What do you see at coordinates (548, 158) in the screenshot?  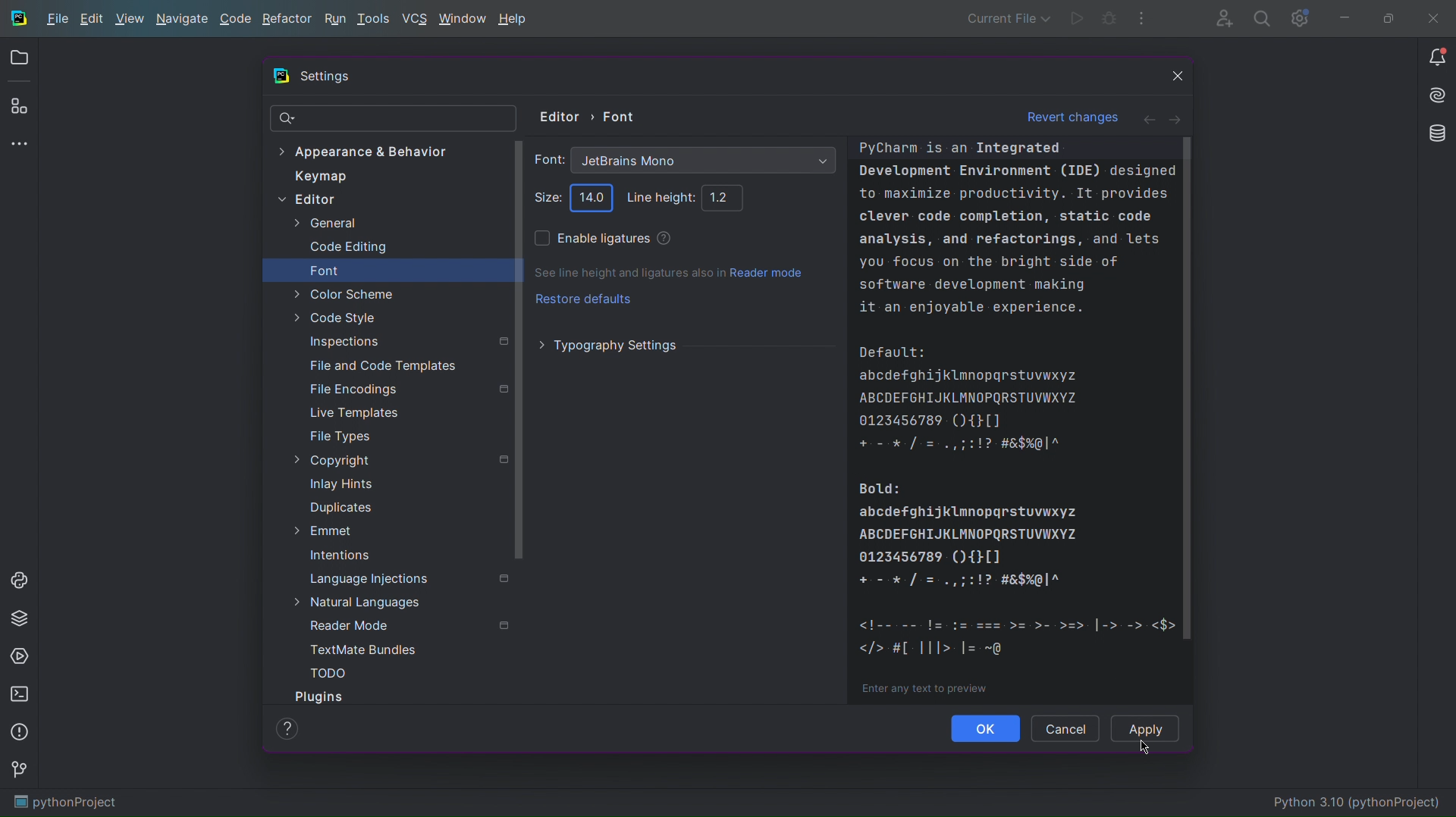 I see `Font` at bounding box center [548, 158].